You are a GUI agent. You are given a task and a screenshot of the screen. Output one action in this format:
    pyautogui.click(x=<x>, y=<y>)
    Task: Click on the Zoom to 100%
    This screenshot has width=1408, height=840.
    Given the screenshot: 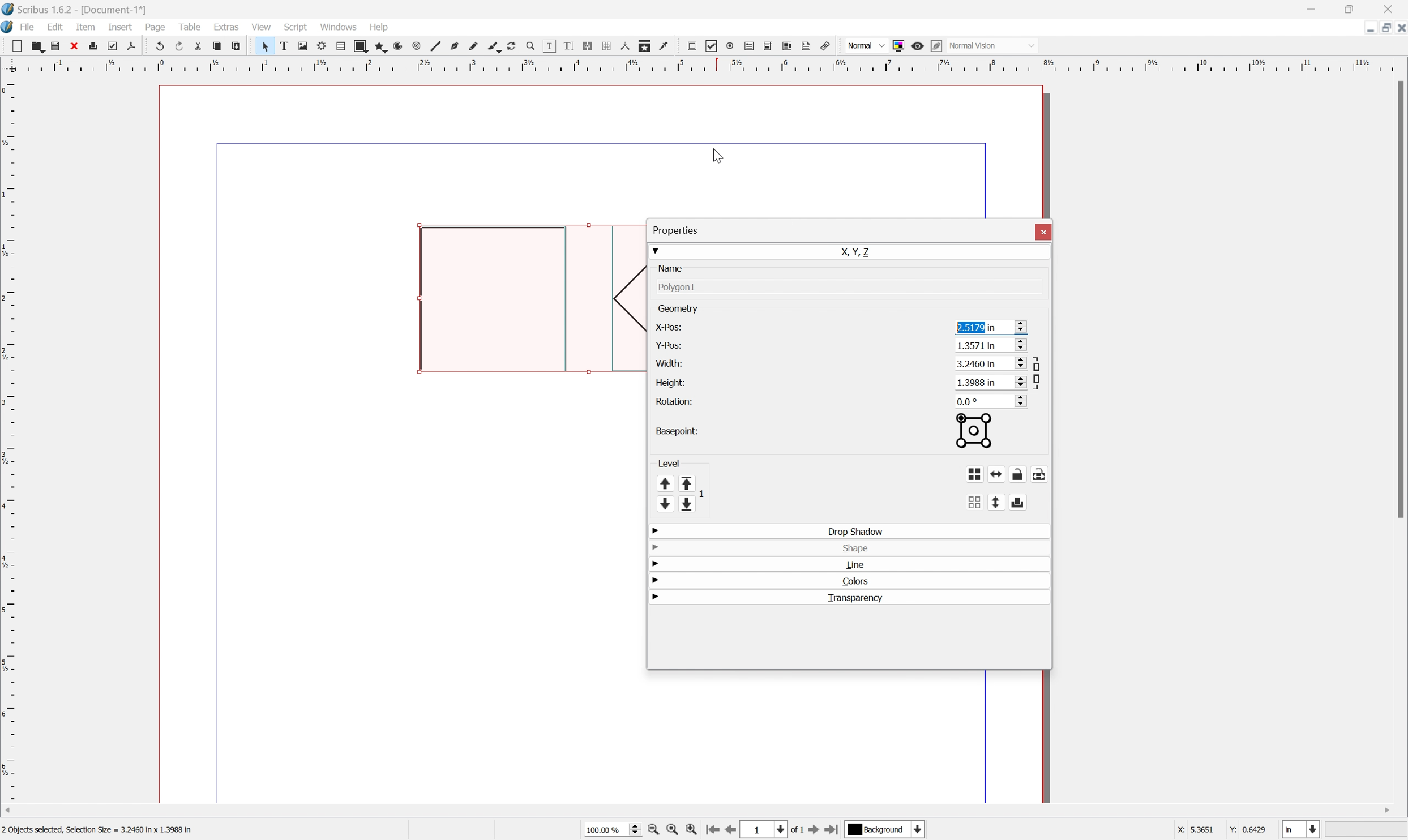 What is the action you would take?
    pyautogui.click(x=670, y=832)
    